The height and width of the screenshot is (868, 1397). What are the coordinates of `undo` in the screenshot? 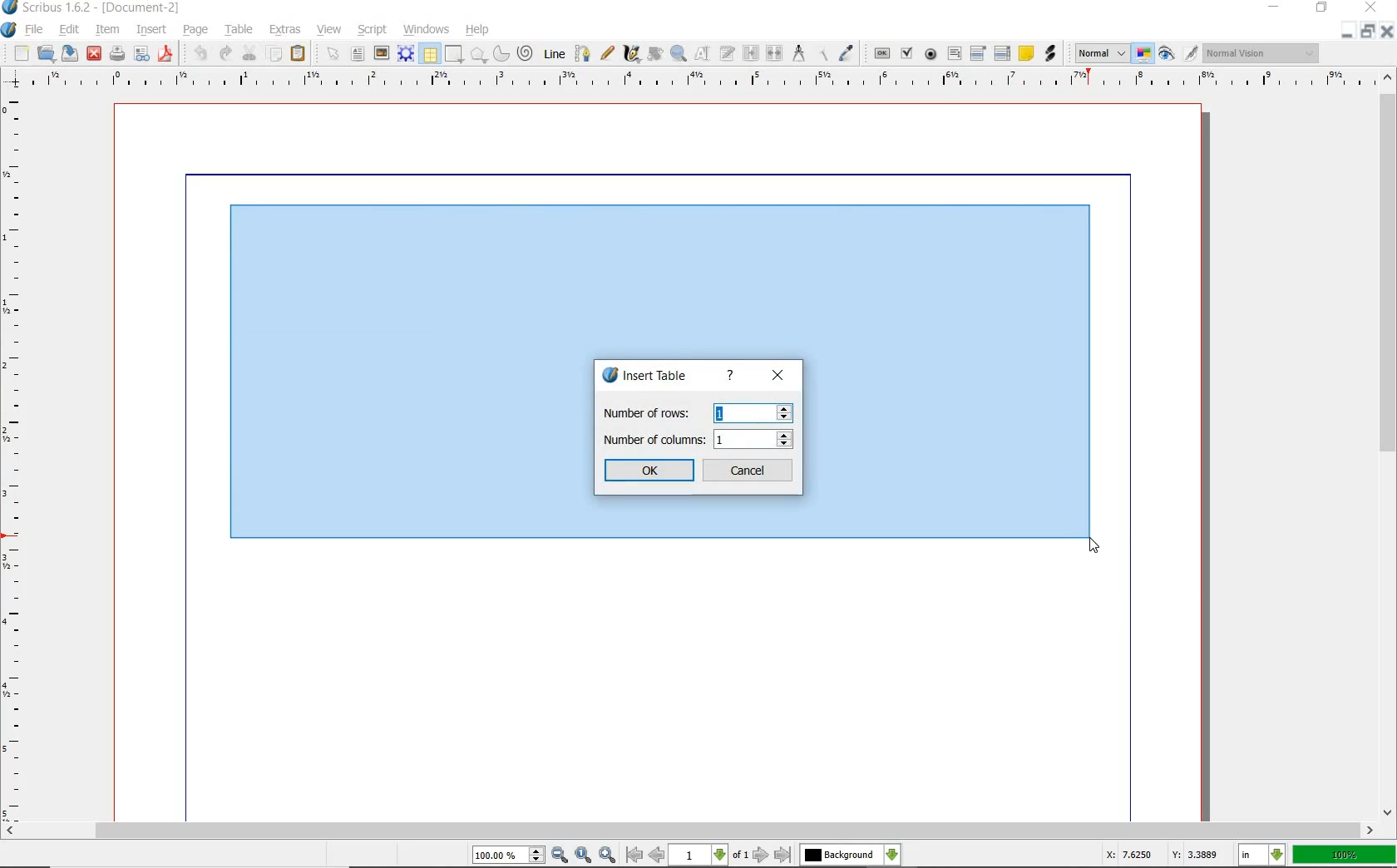 It's located at (201, 54).